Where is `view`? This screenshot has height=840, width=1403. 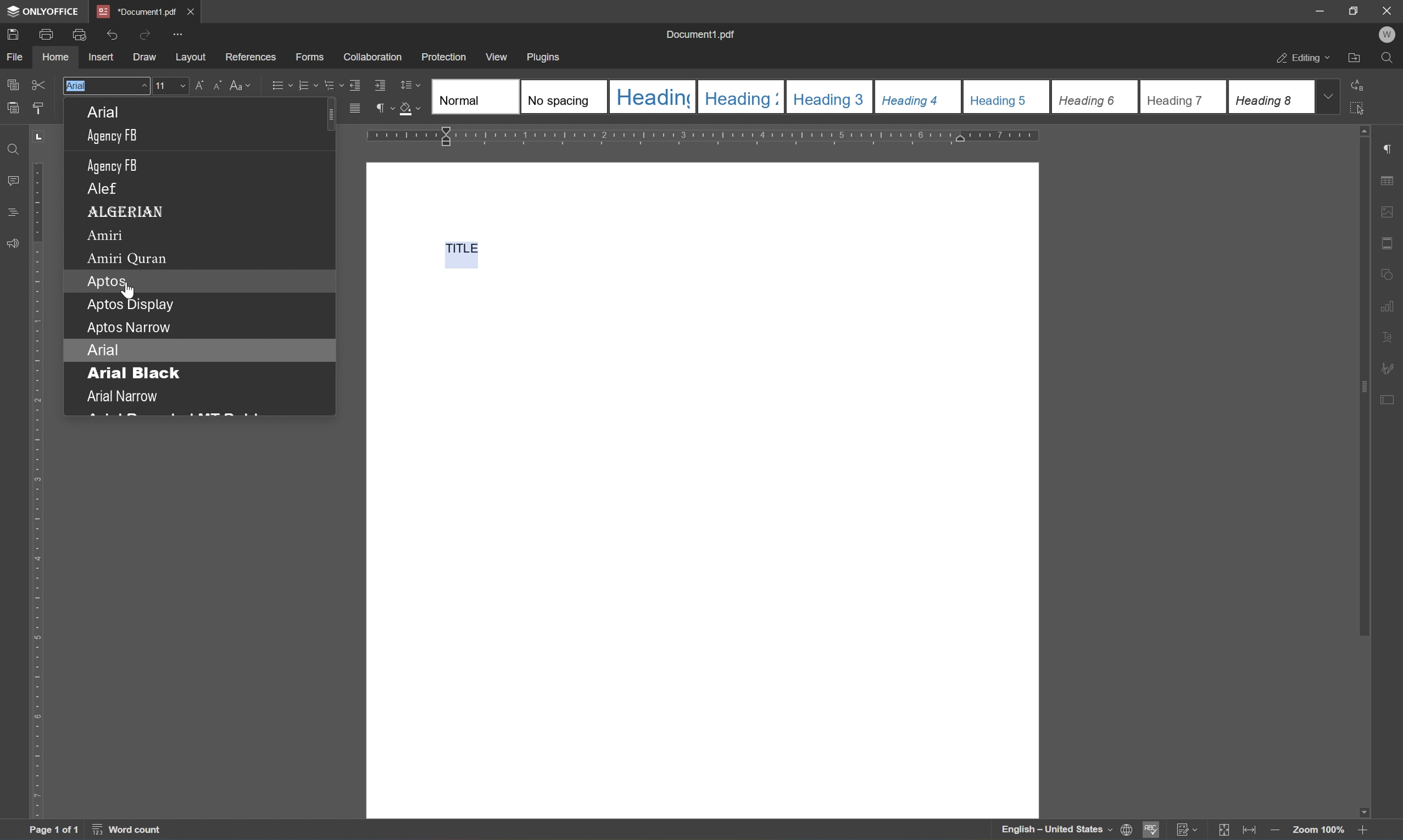 view is located at coordinates (495, 57).